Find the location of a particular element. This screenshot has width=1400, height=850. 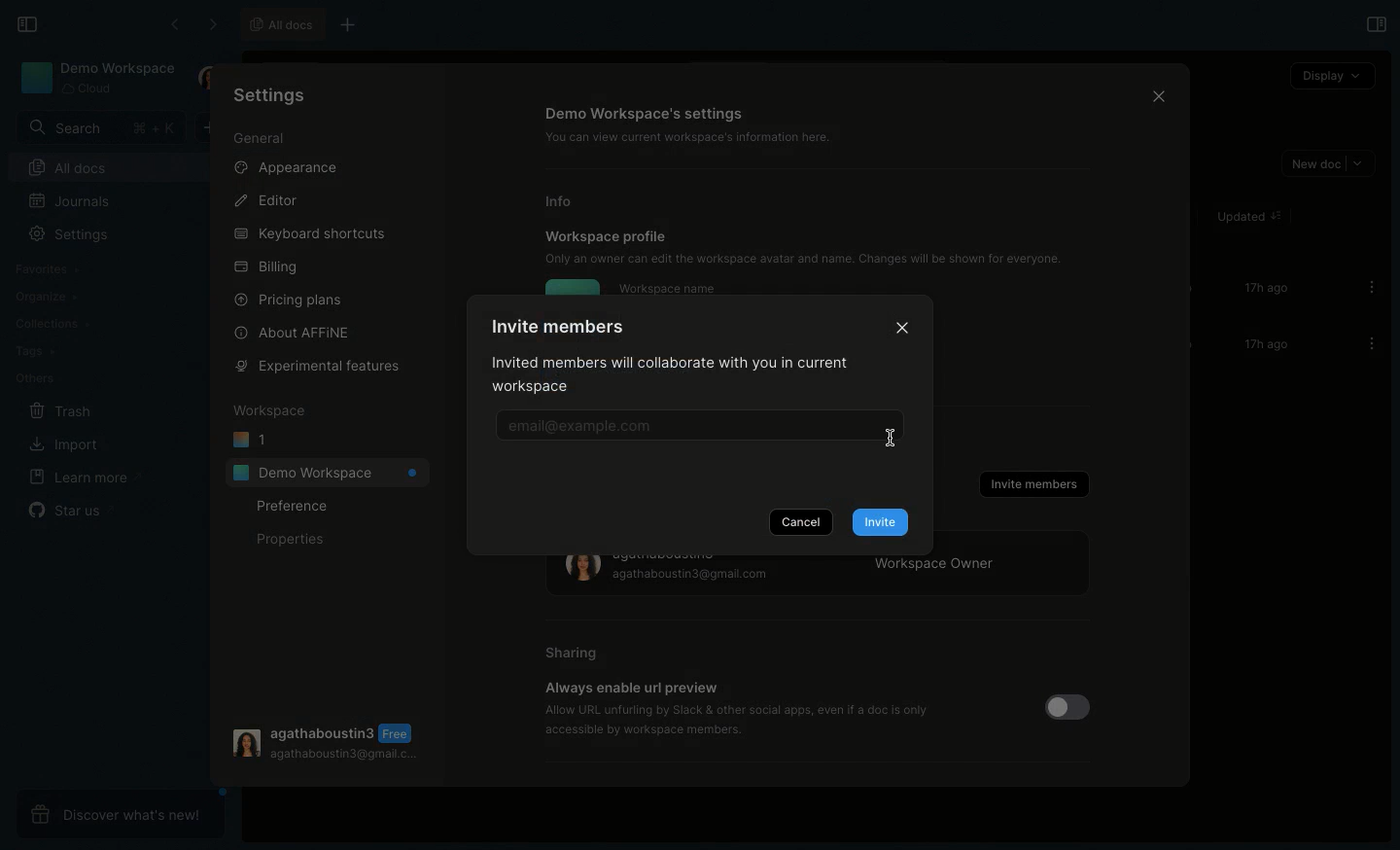

Billing is located at coordinates (264, 267).